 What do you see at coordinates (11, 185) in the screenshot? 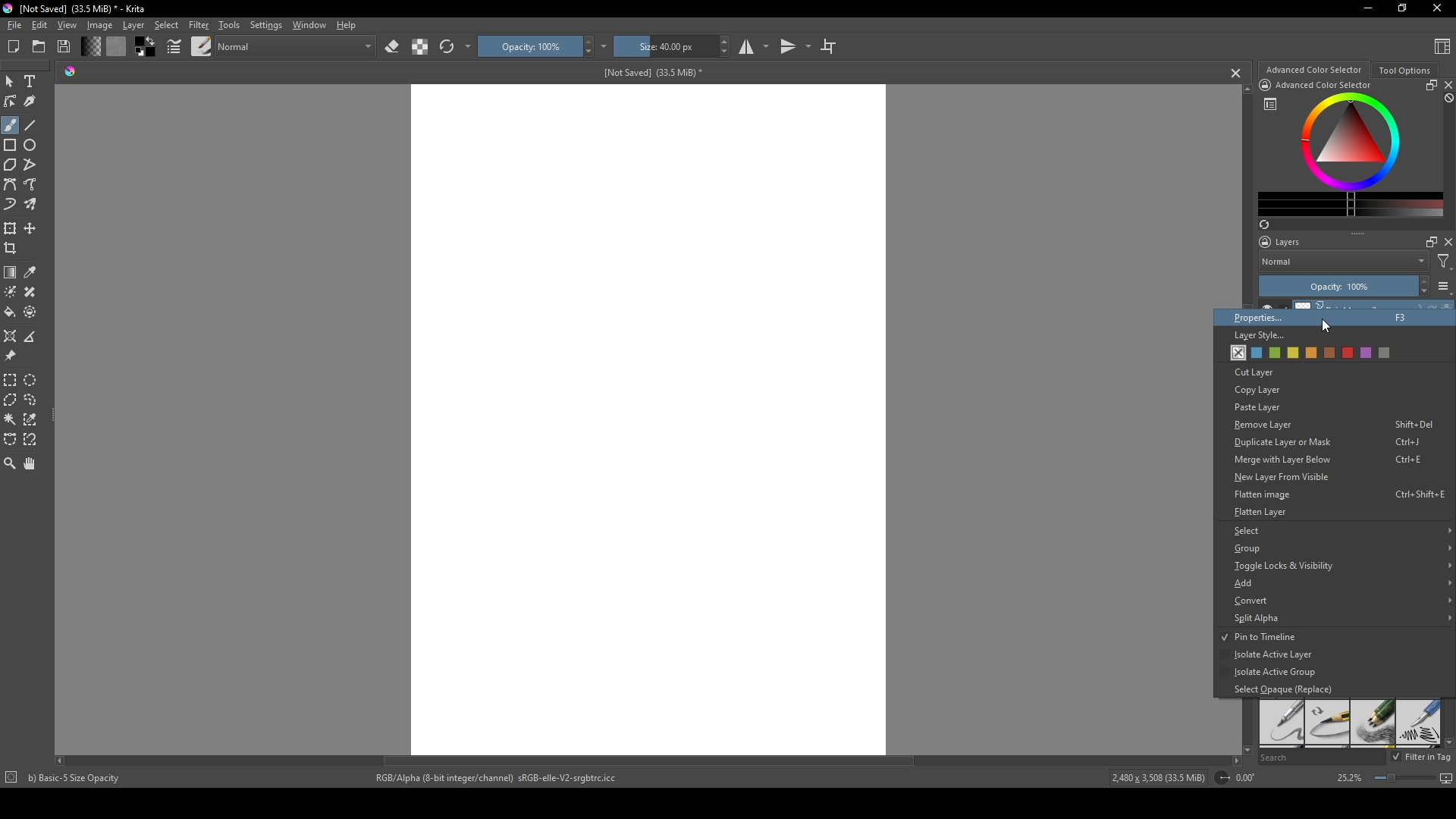
I see `bezier` at bounding box center [11, 185].